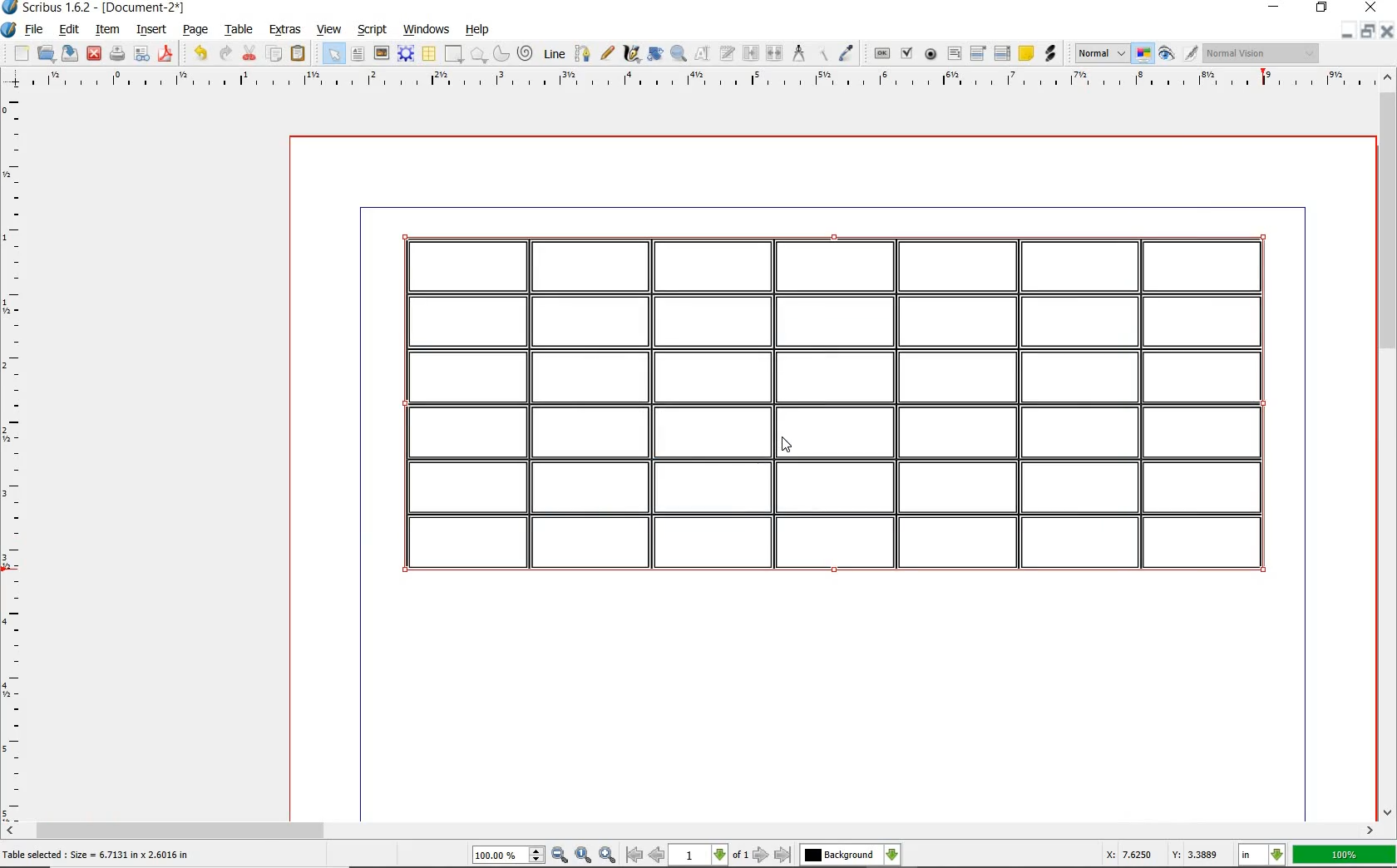 This screenshot has width=1397, height=868. What do you see at coordinates (198, 32) in the screenshot?
I see `page` at bounding box center [198, 32].